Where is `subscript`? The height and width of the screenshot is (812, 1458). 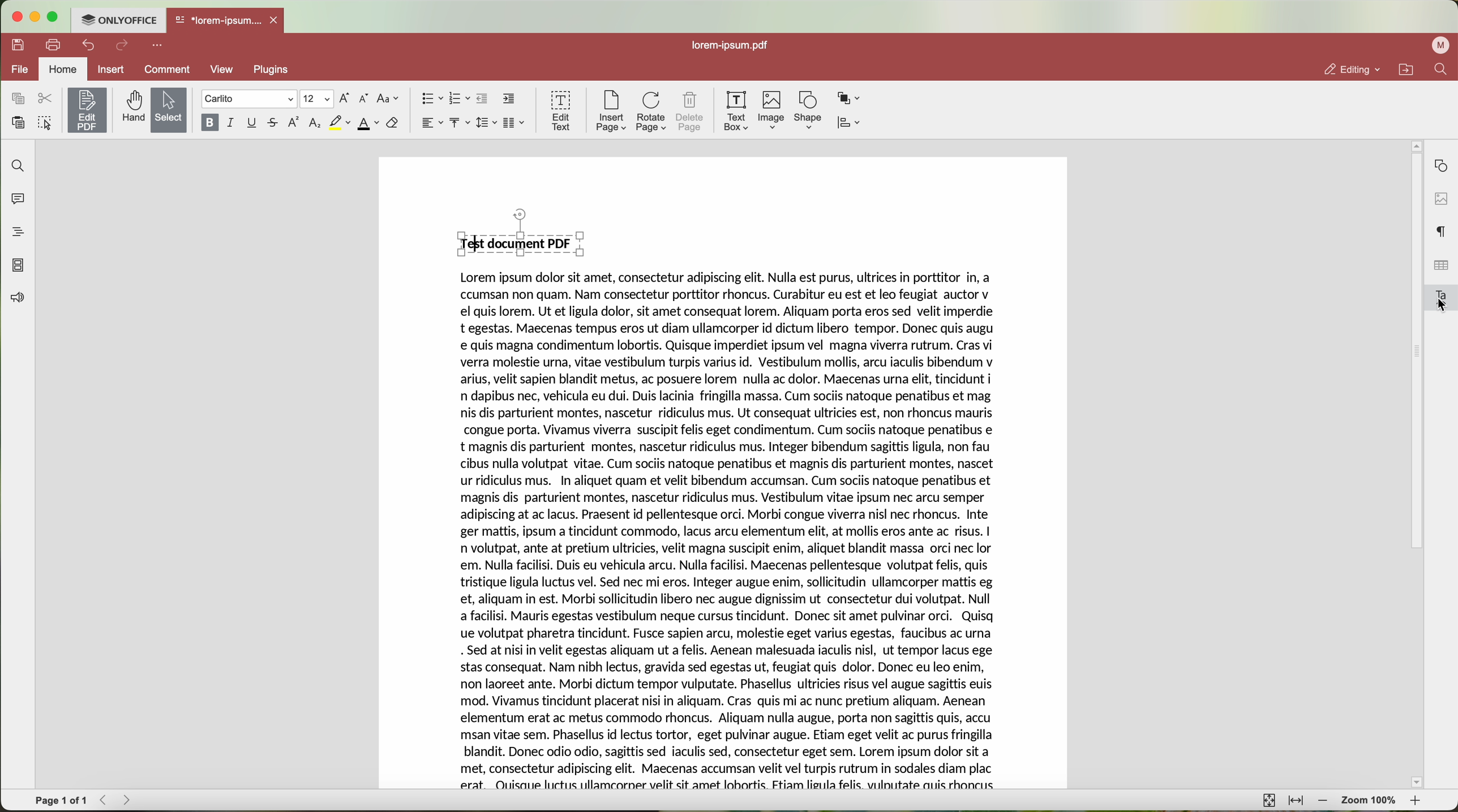
subscript is located at coordinates (315, 124).